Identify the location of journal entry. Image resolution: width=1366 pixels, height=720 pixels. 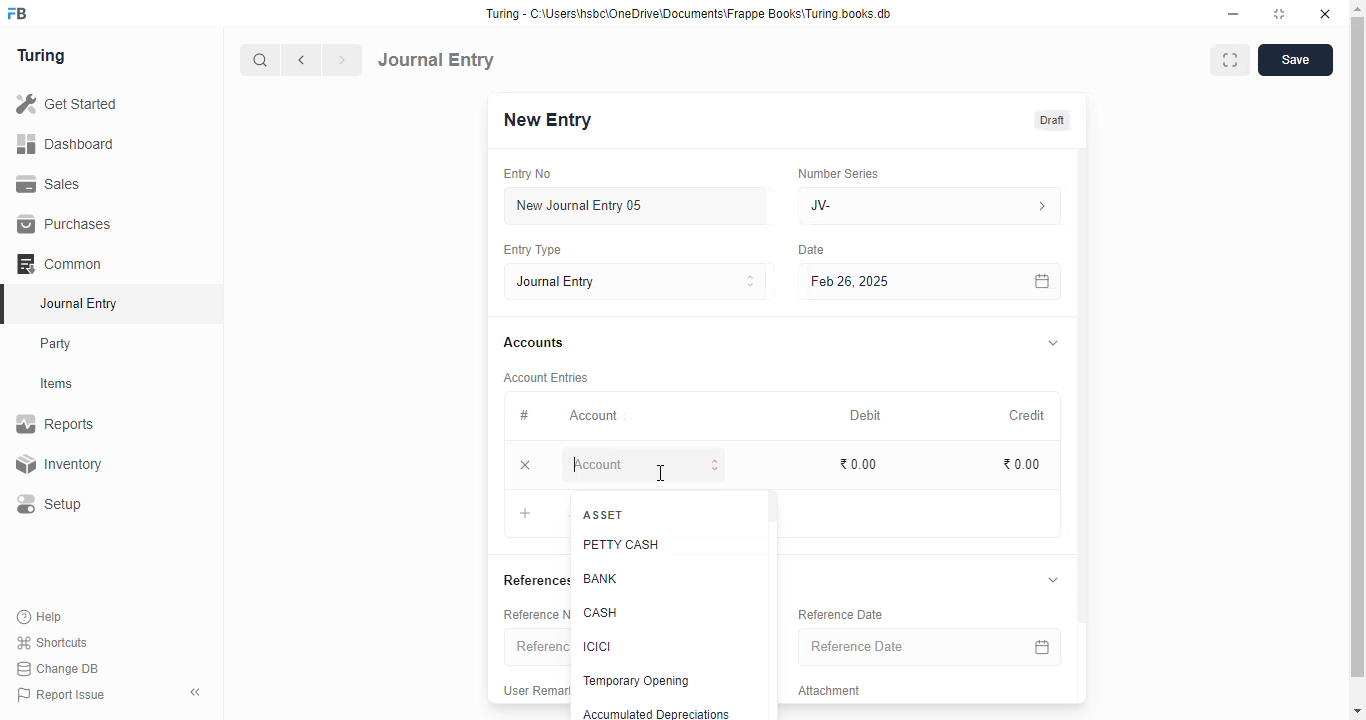
(78, 303).